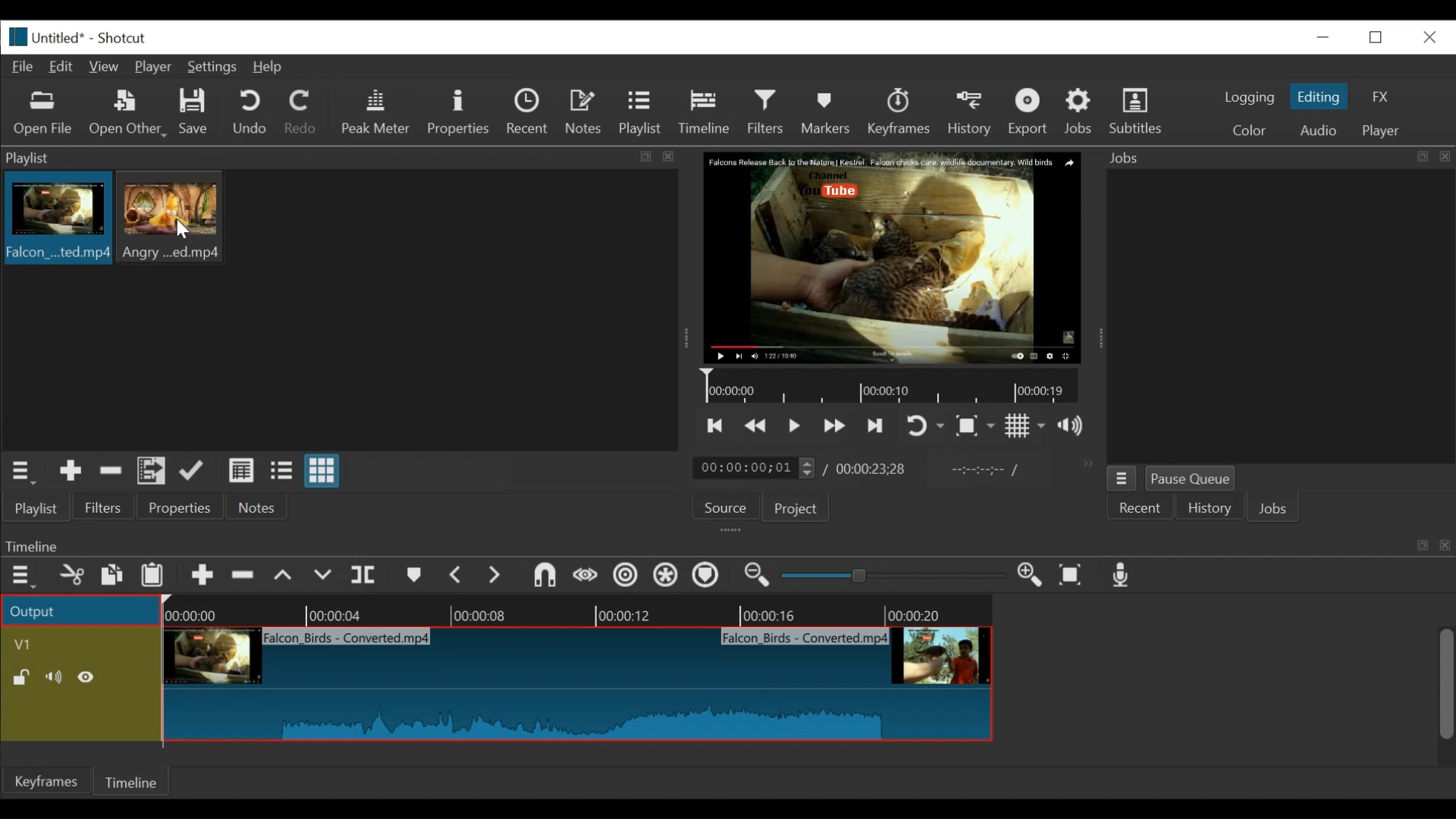 The height and width of the screenshot is (819, 1456). Describe the element at coordinates (64, 65) in the screenshot. I see `Edit` at that location.